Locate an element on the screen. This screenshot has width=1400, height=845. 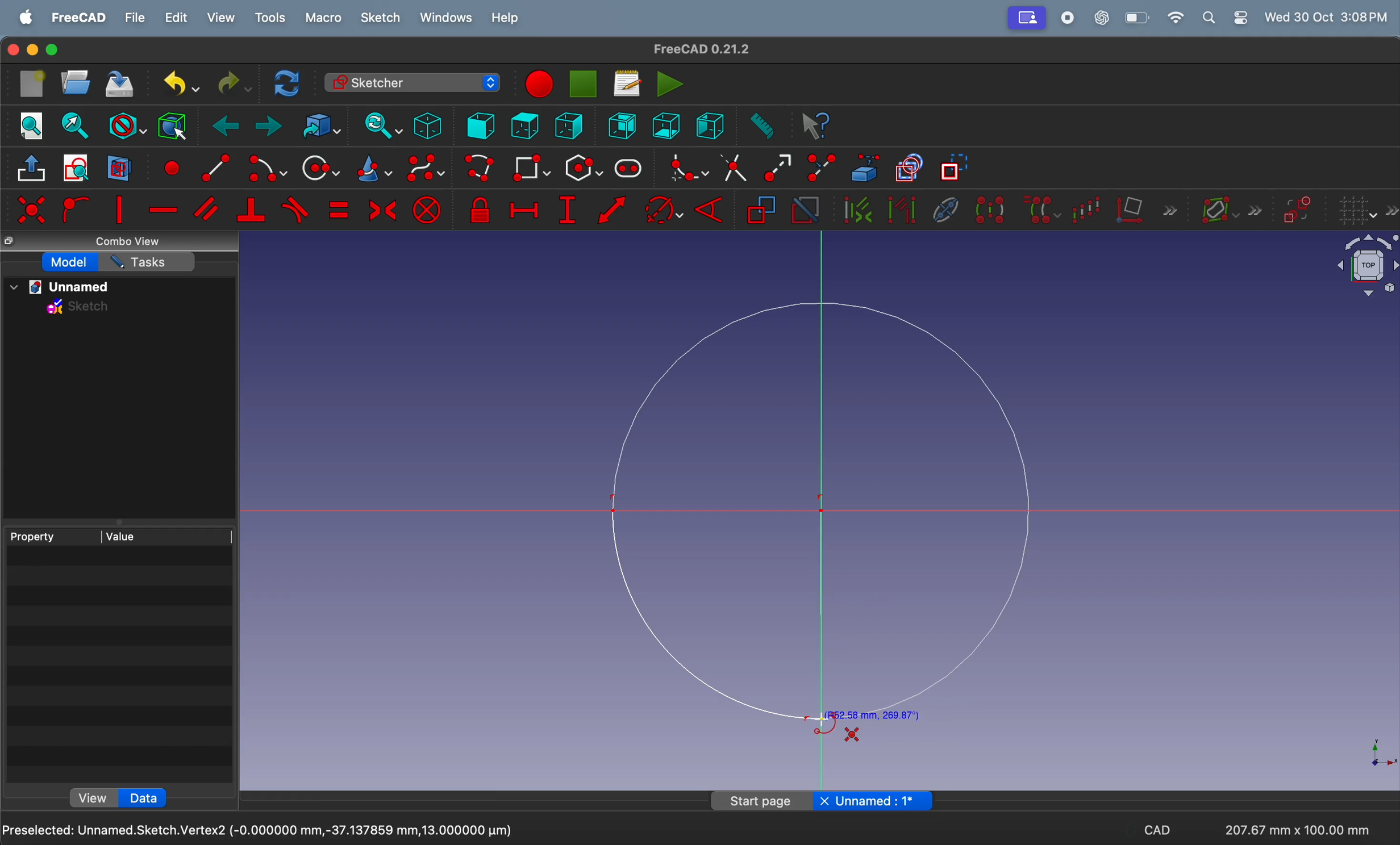
pause marco is located at coordinates (584, 84).